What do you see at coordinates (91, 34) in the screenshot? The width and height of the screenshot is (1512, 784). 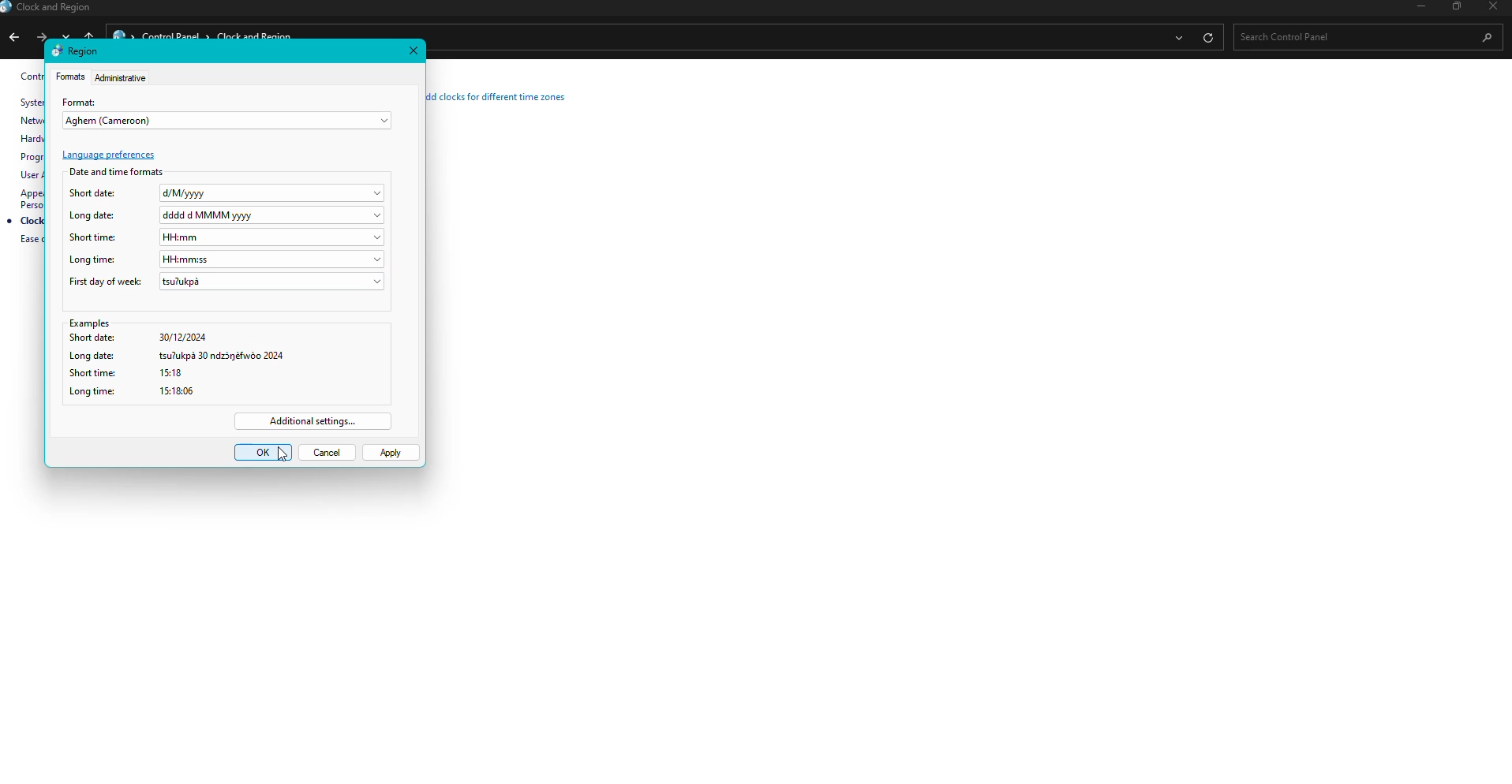 I see `up` at bounding box center [91, 34].